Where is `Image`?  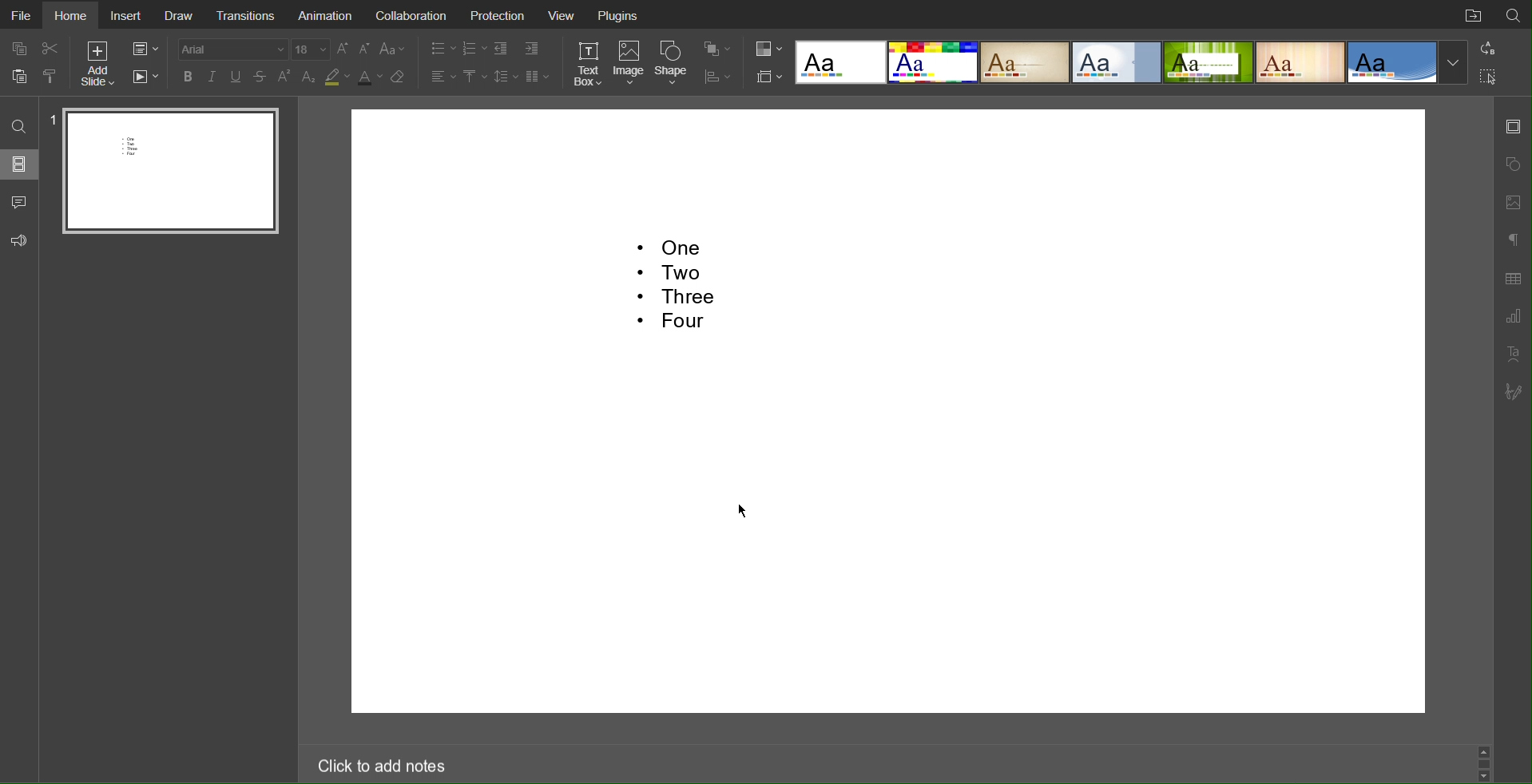 Image is located at coordinates (629, 66).